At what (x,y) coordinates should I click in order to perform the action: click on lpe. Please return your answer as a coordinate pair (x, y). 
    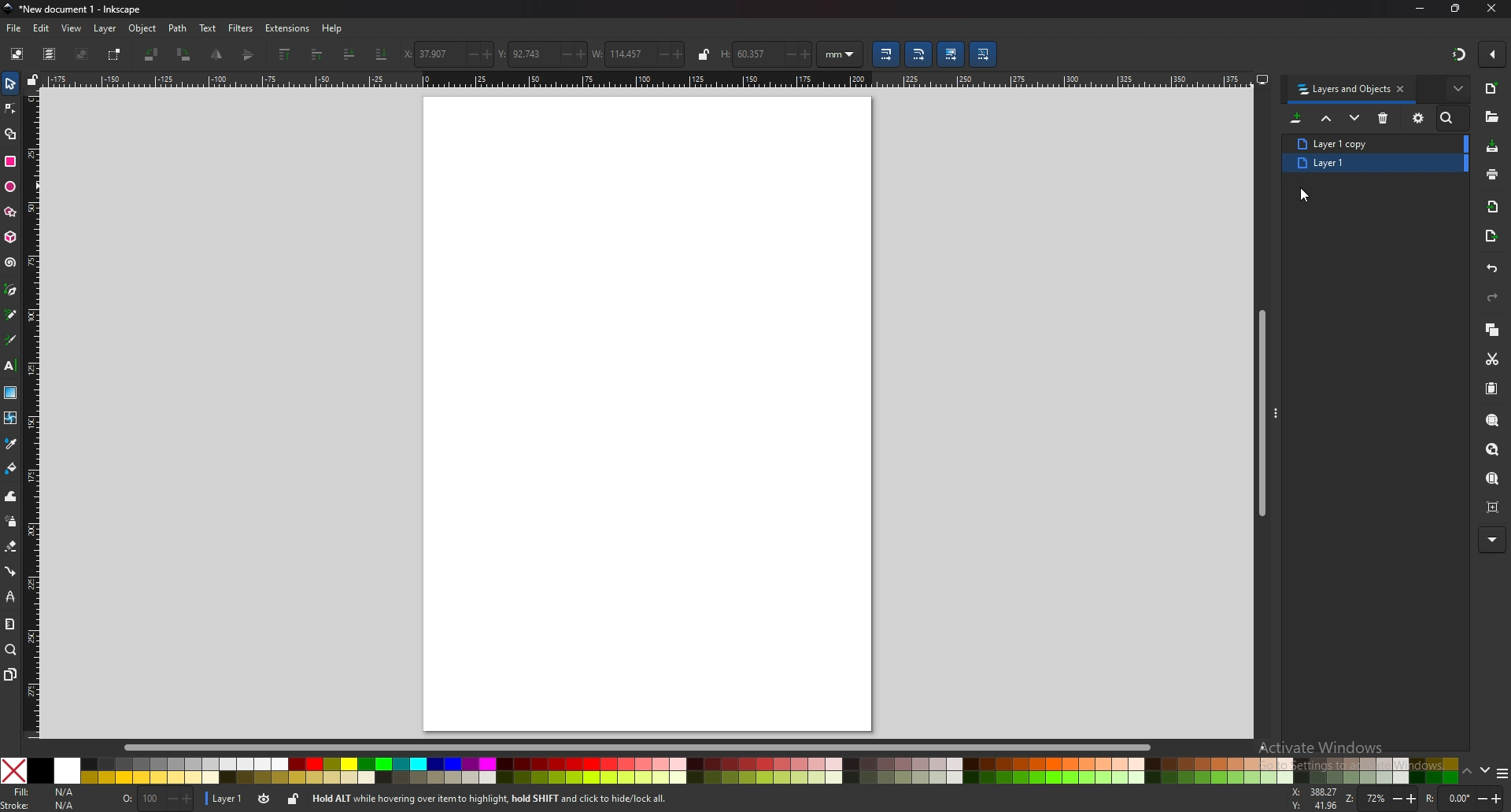
    Looking at the image, I should click on (11, 596).